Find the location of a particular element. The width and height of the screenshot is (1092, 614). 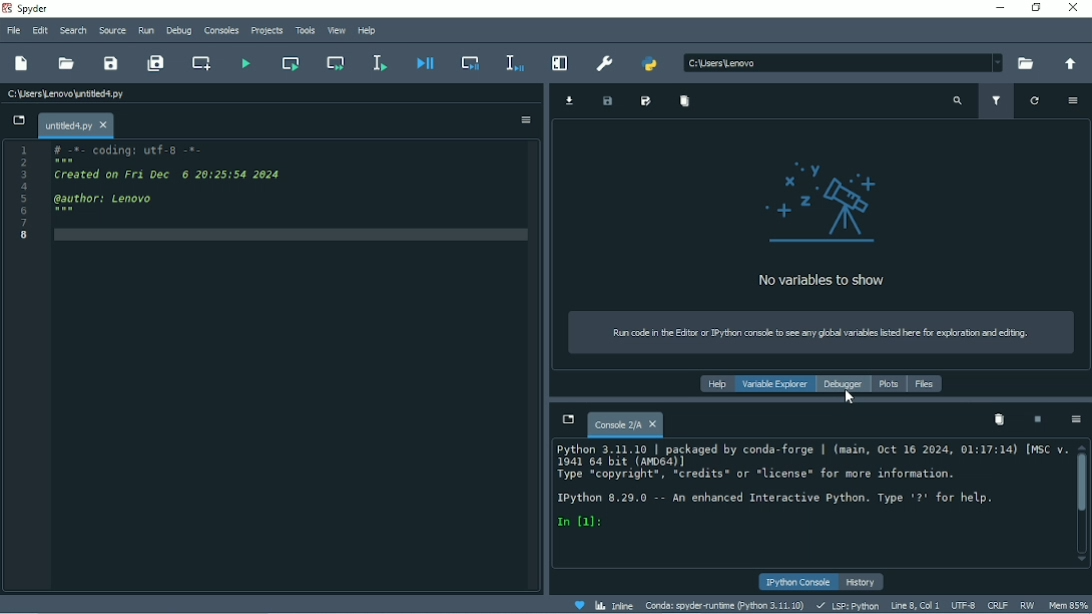

Save data is located at coordinates (607, 101).